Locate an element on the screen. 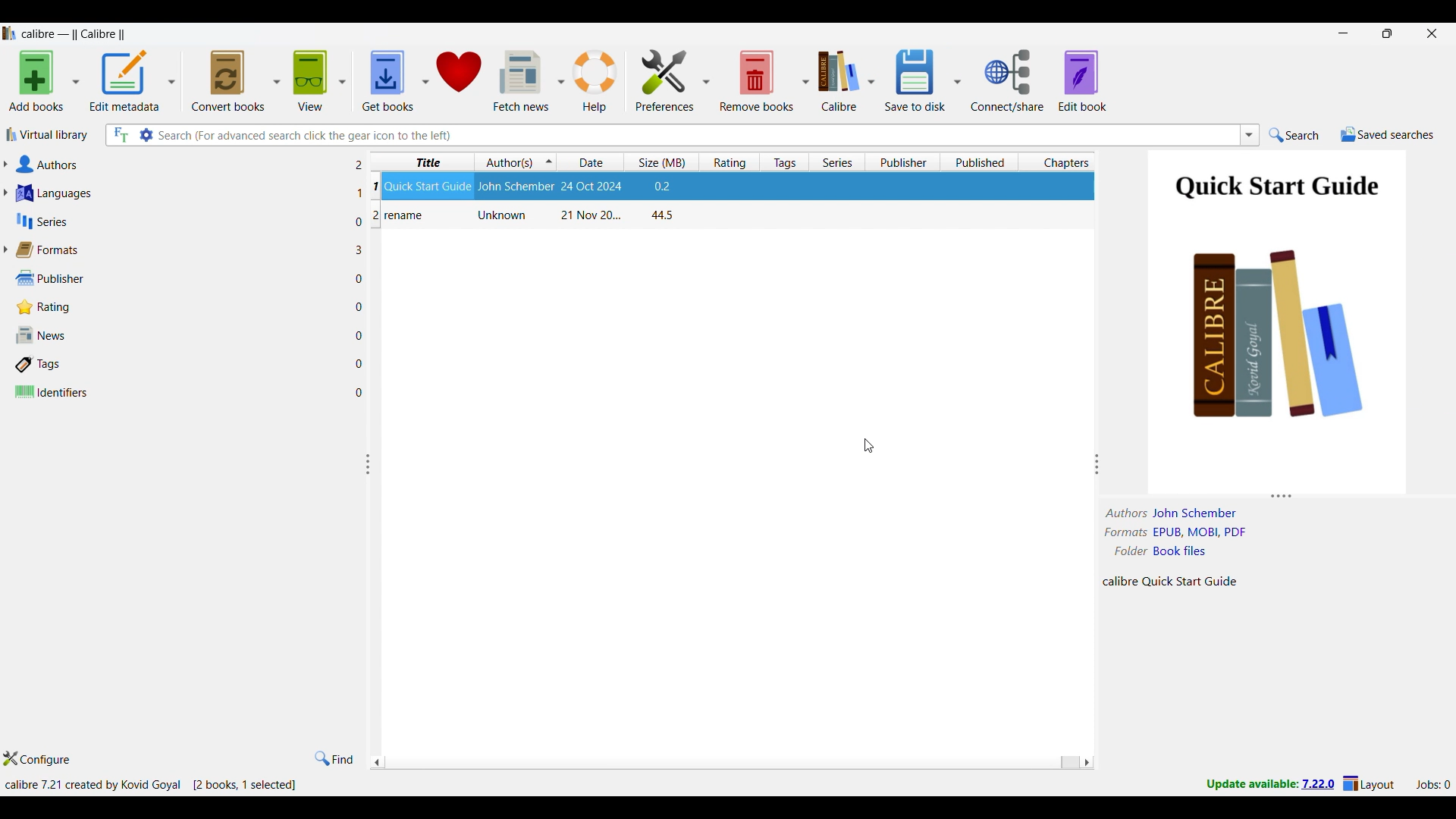  List searches is located at coordinates (1250, 135).